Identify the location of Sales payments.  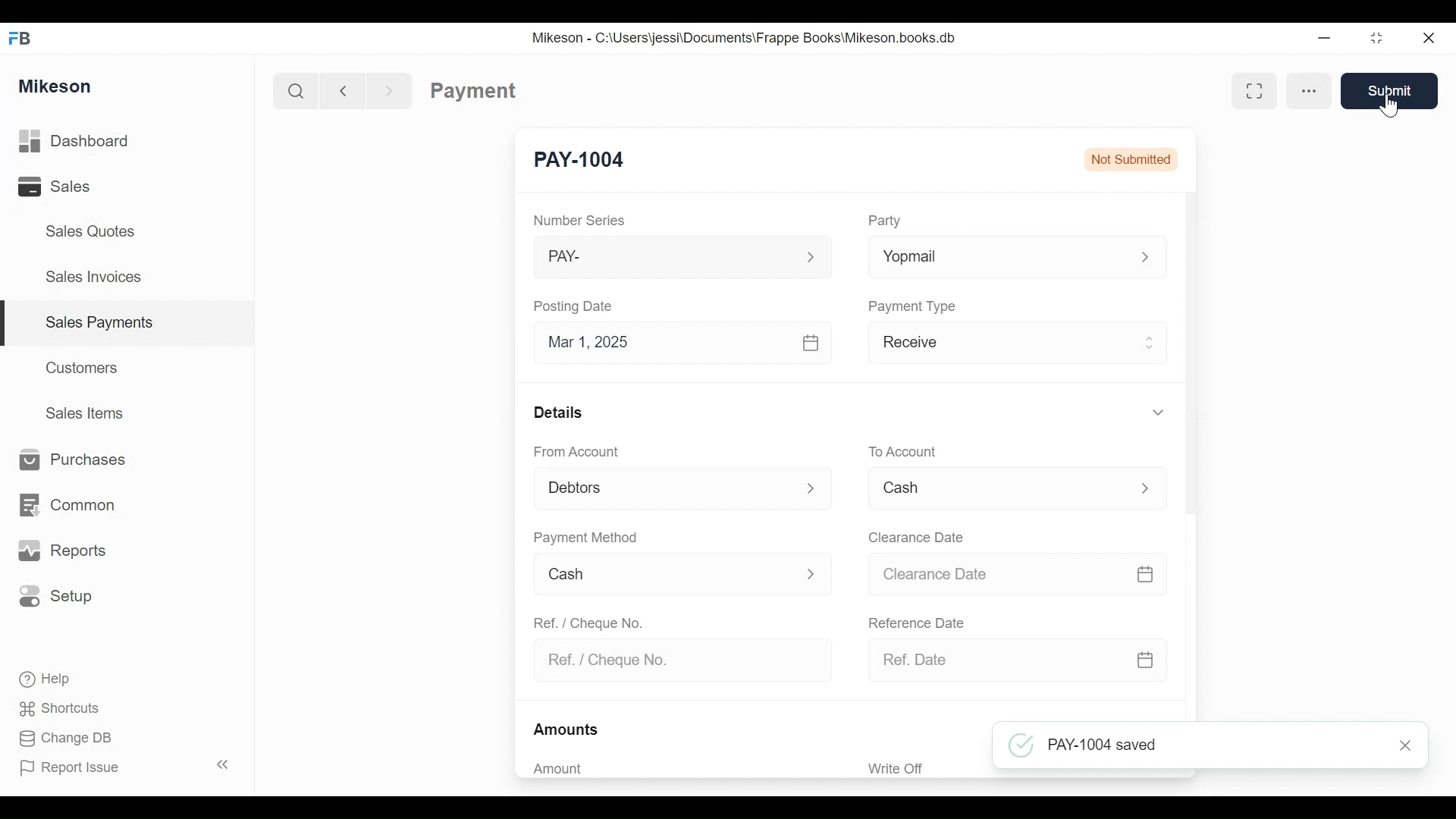
(102, 322).